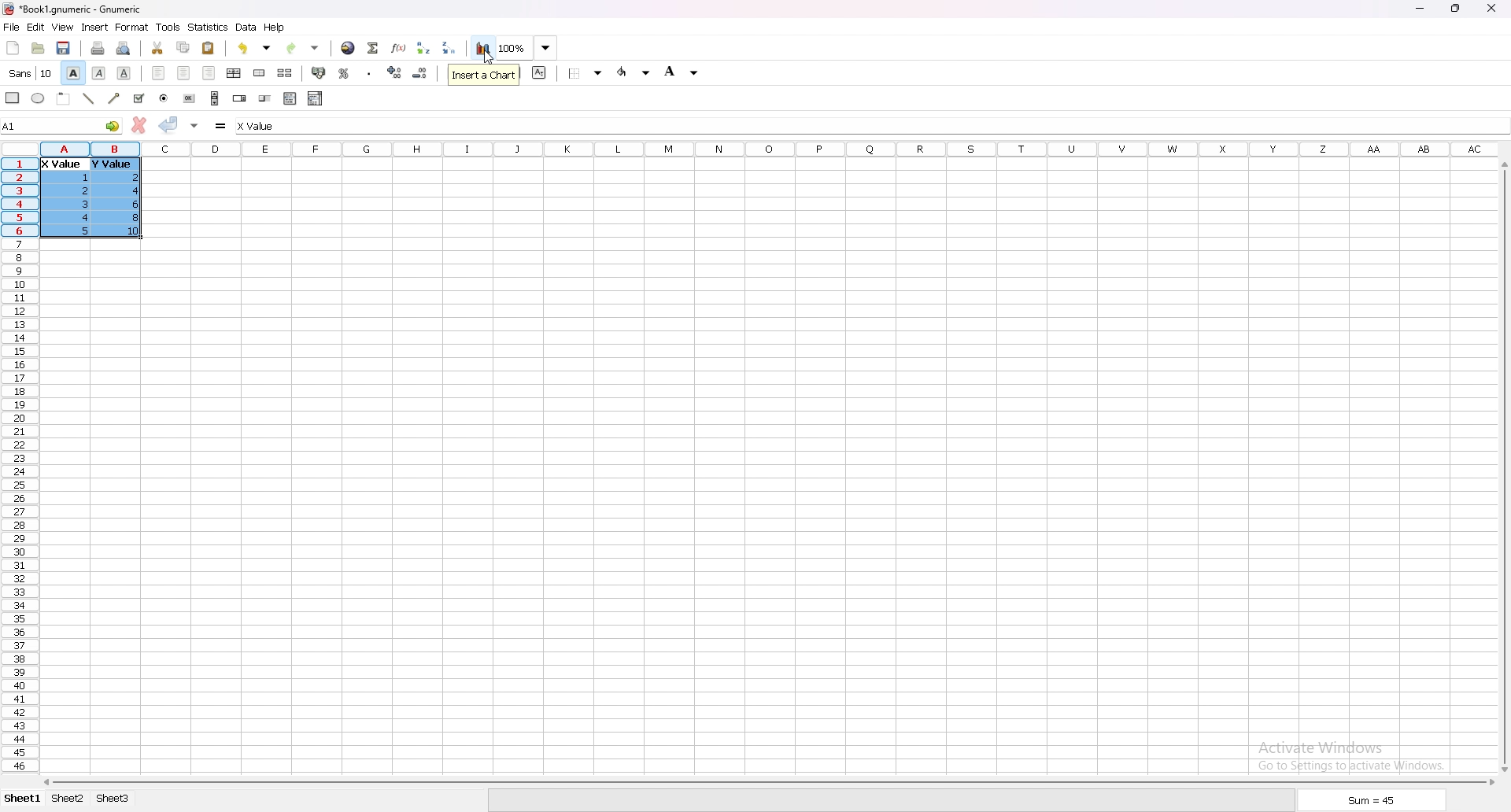 This screenshot has width=1511, height=812. What do you see at coordinates (254, 48) in the screenshot?
I see `undo` at bounding box center [254, 48].